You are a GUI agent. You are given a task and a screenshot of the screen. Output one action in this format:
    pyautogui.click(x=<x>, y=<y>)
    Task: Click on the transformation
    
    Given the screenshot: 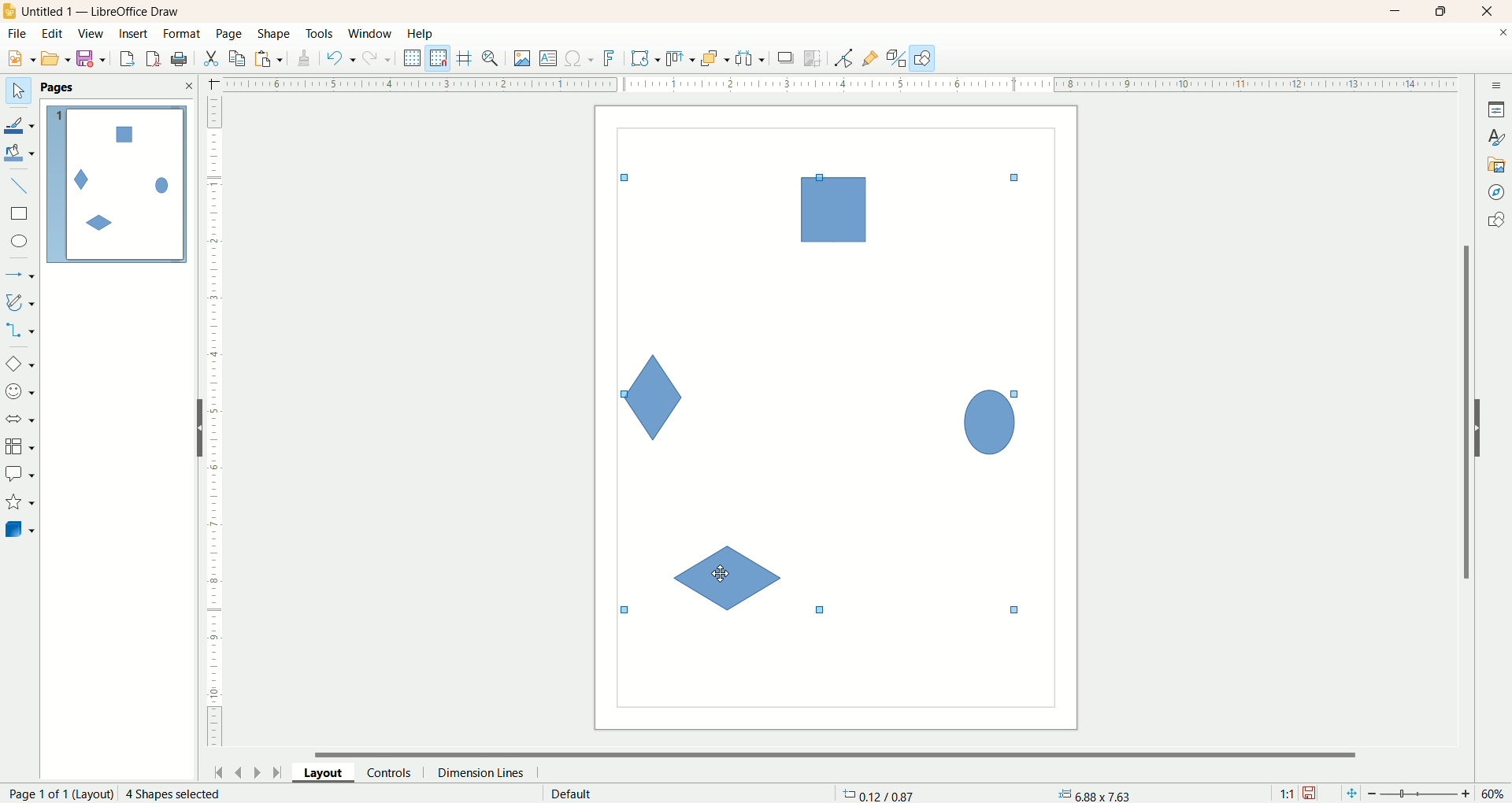 What is the action you would take?
    pyautogui.click(x=646, y=59)
    